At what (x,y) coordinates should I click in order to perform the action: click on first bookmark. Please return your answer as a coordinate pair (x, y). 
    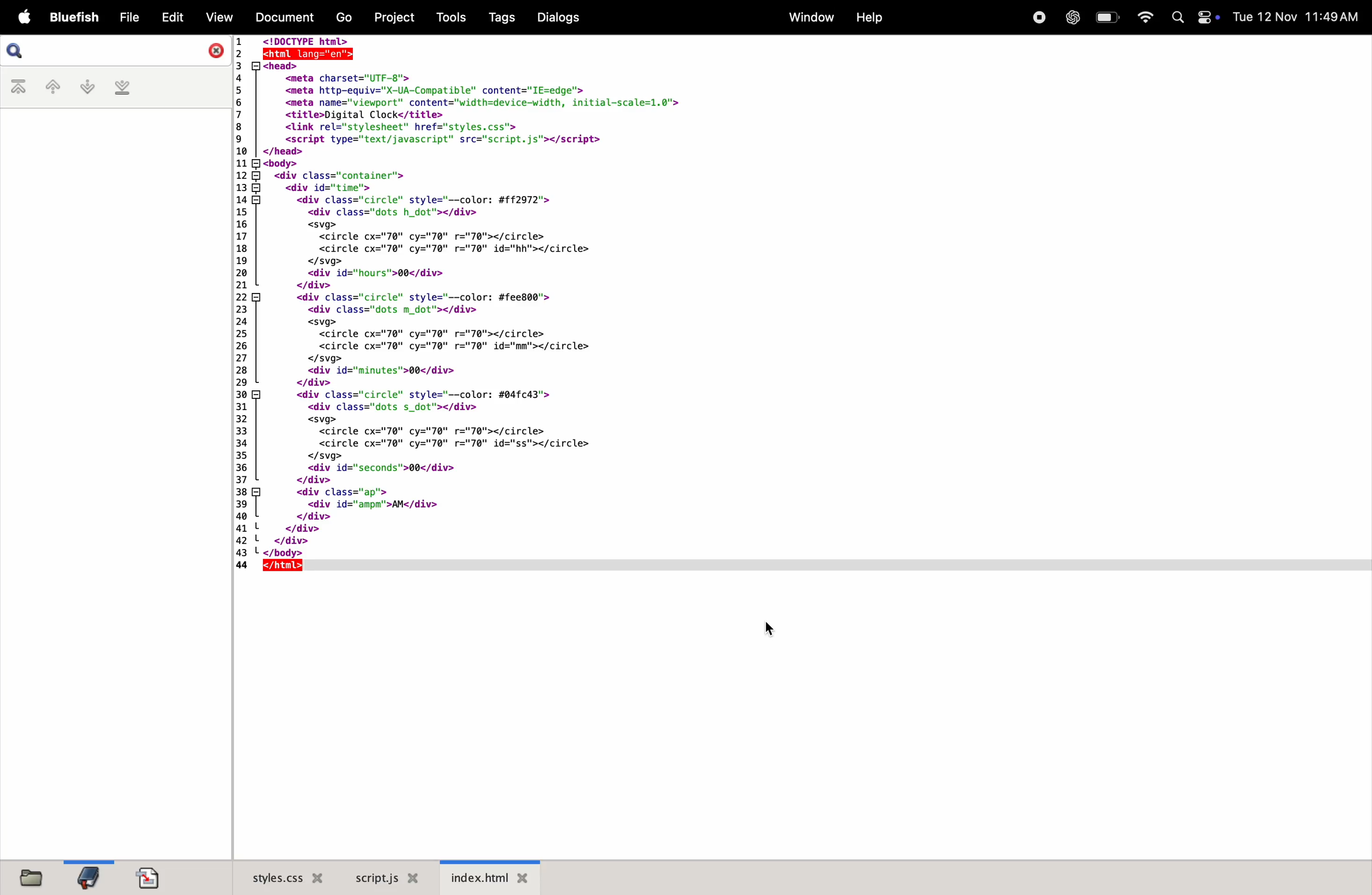
    Looking at the image, I should click on (20, 88).